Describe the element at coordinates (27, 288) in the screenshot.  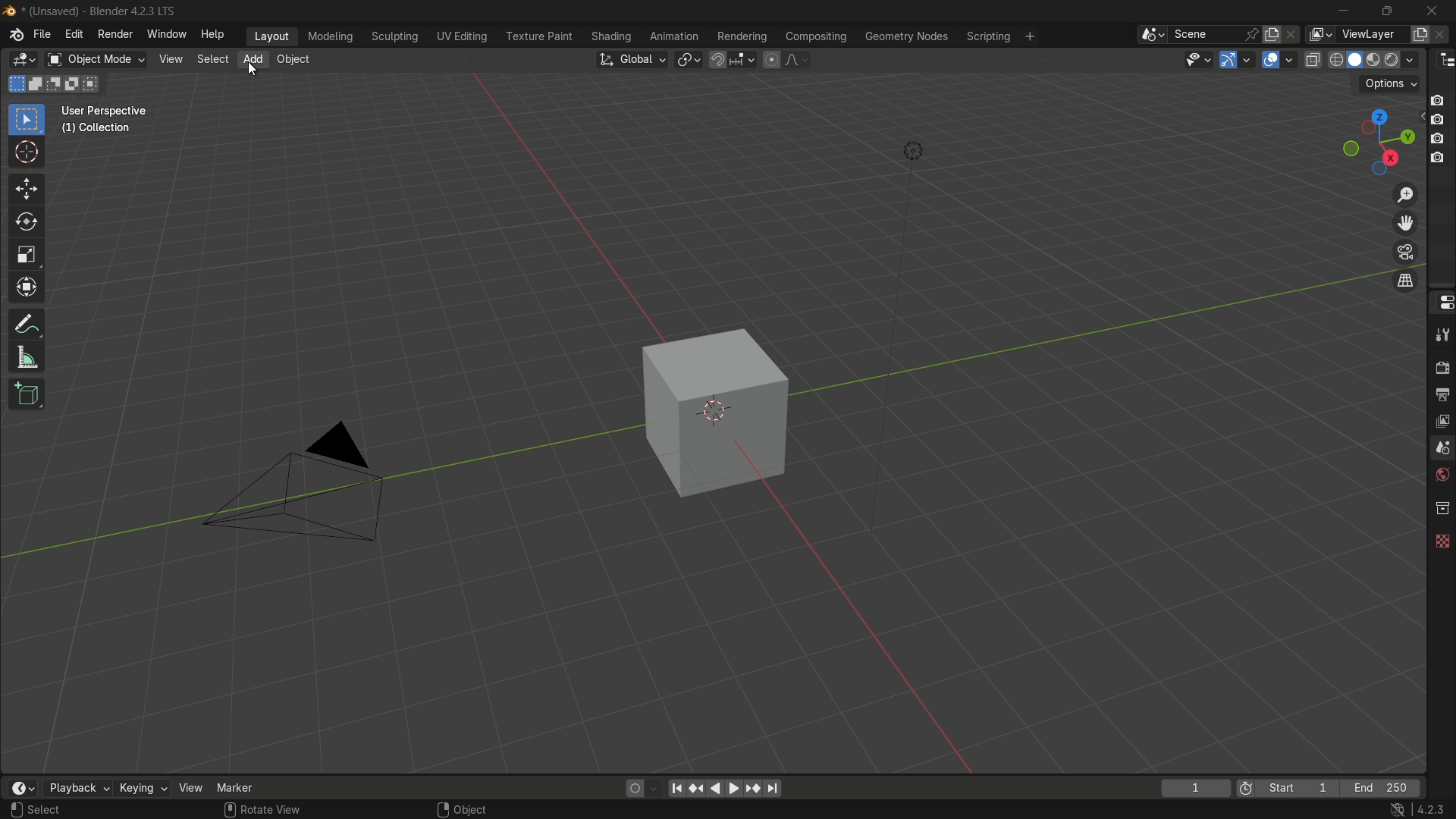
I see `transform` at that location.